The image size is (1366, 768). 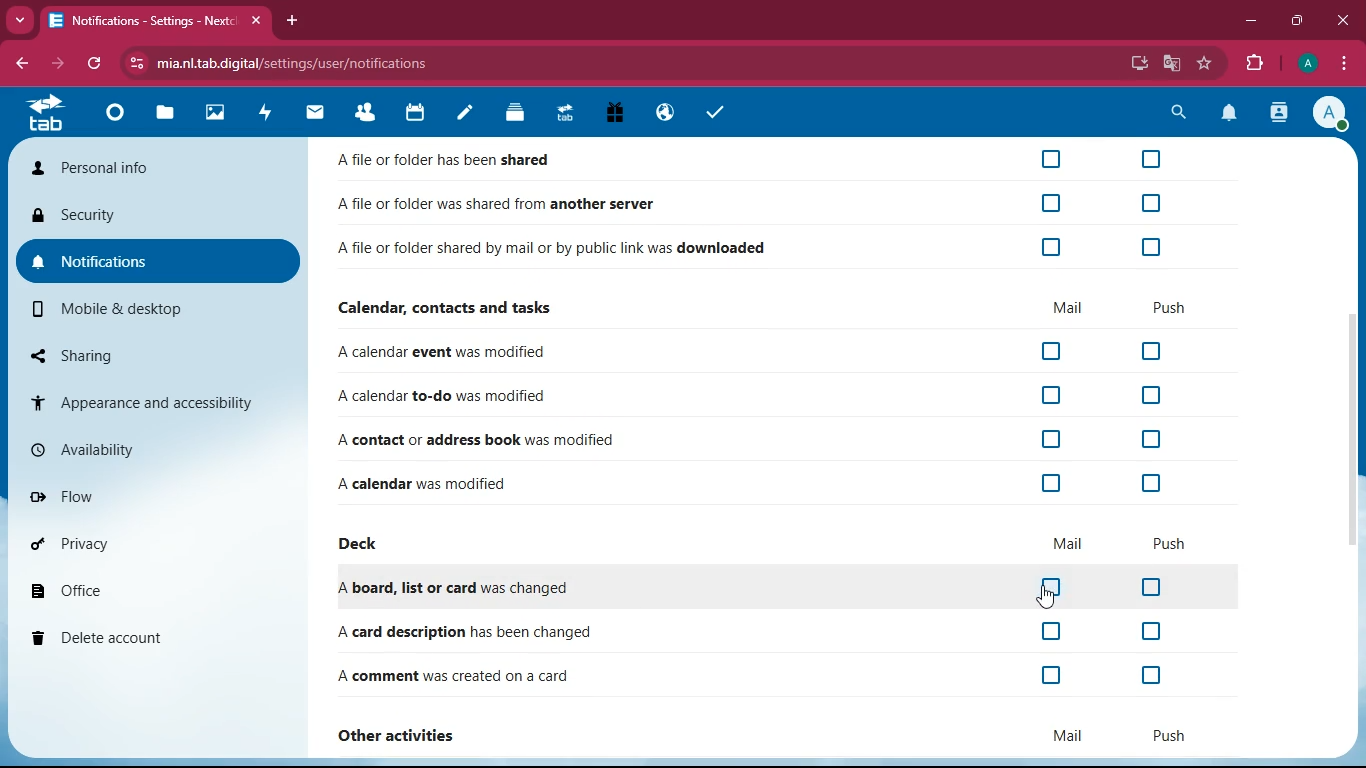 What do you see at coordinates (614, 114) in the screenshot?
I see `Free Trail PC` at bounding box center [614, 114].